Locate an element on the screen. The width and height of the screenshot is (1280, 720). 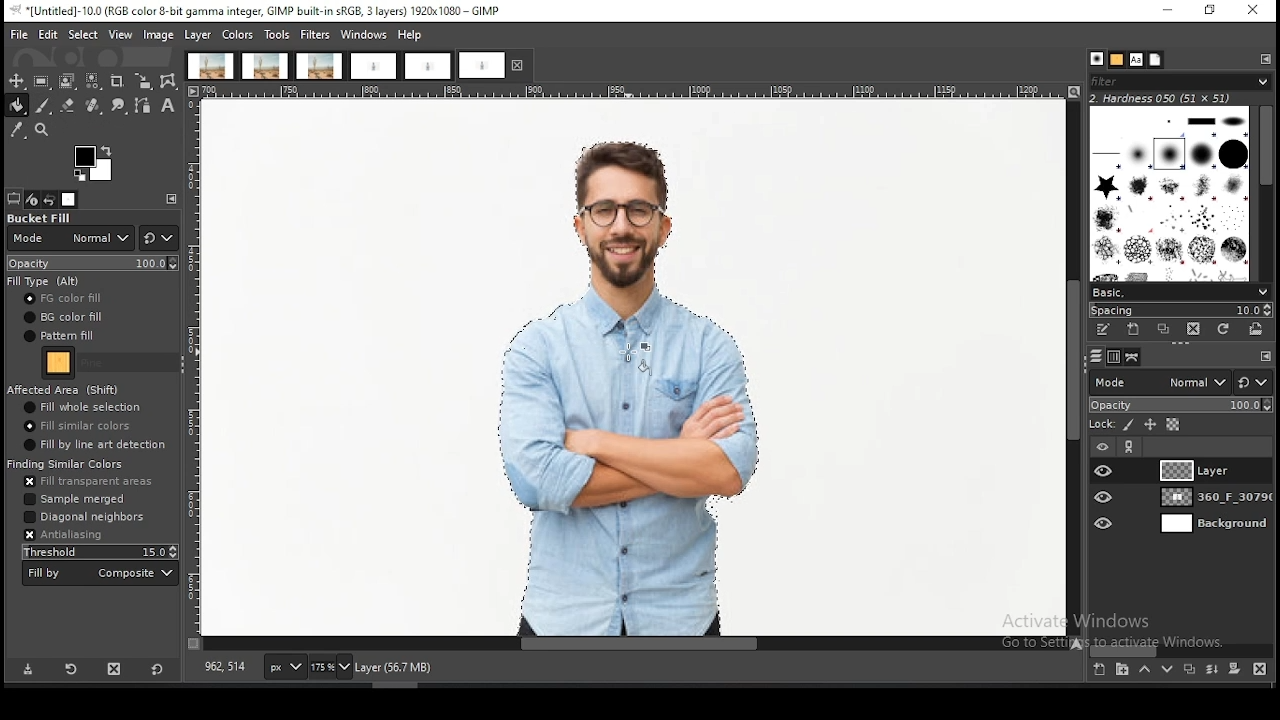
fill by is located at coordinates (102, 573).